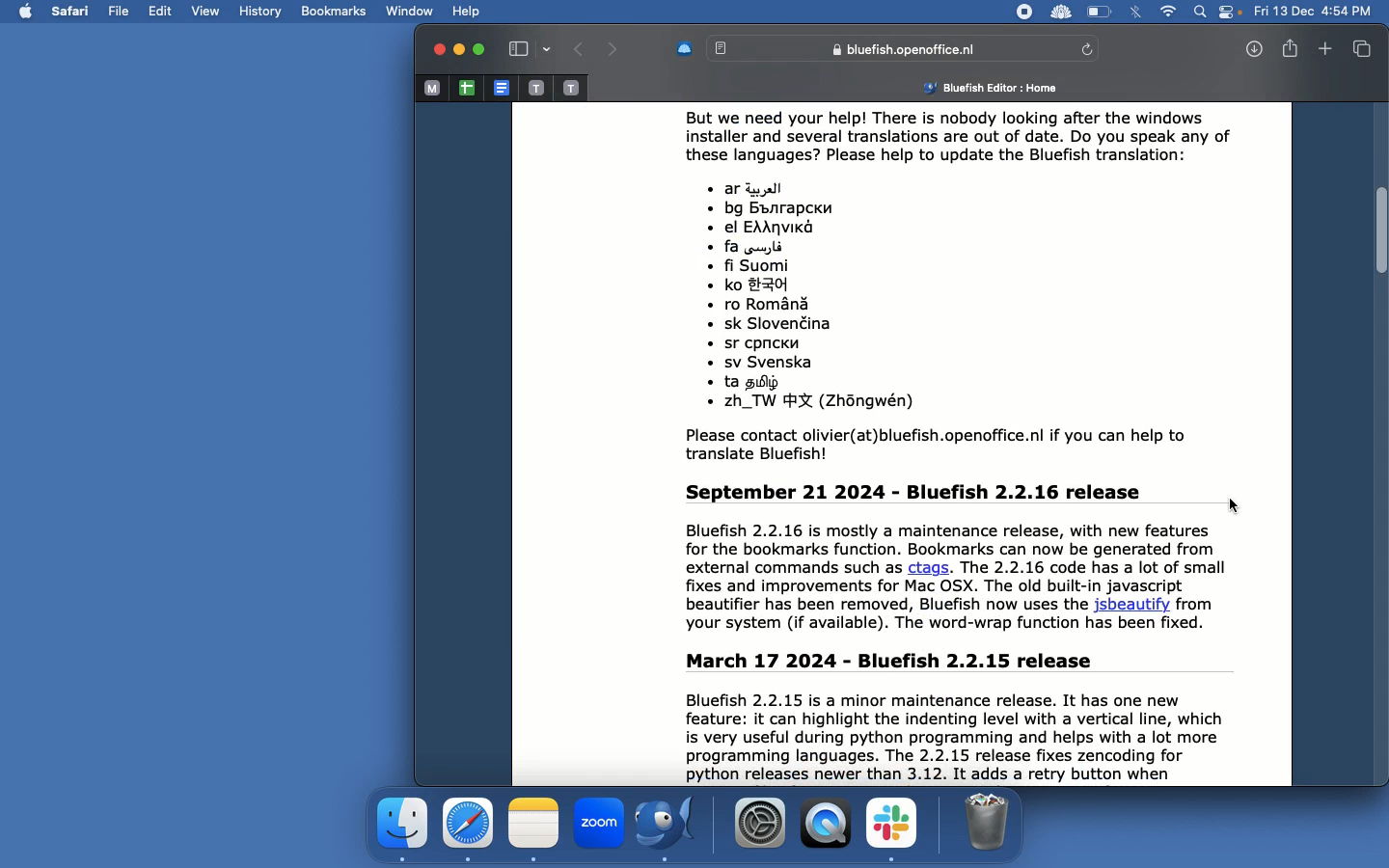 The height and width of the screenshot is (868, 1389). What do you see at coordinates (214, 11) in the screenshot?
I see `View` at bounding box center [214, 11].